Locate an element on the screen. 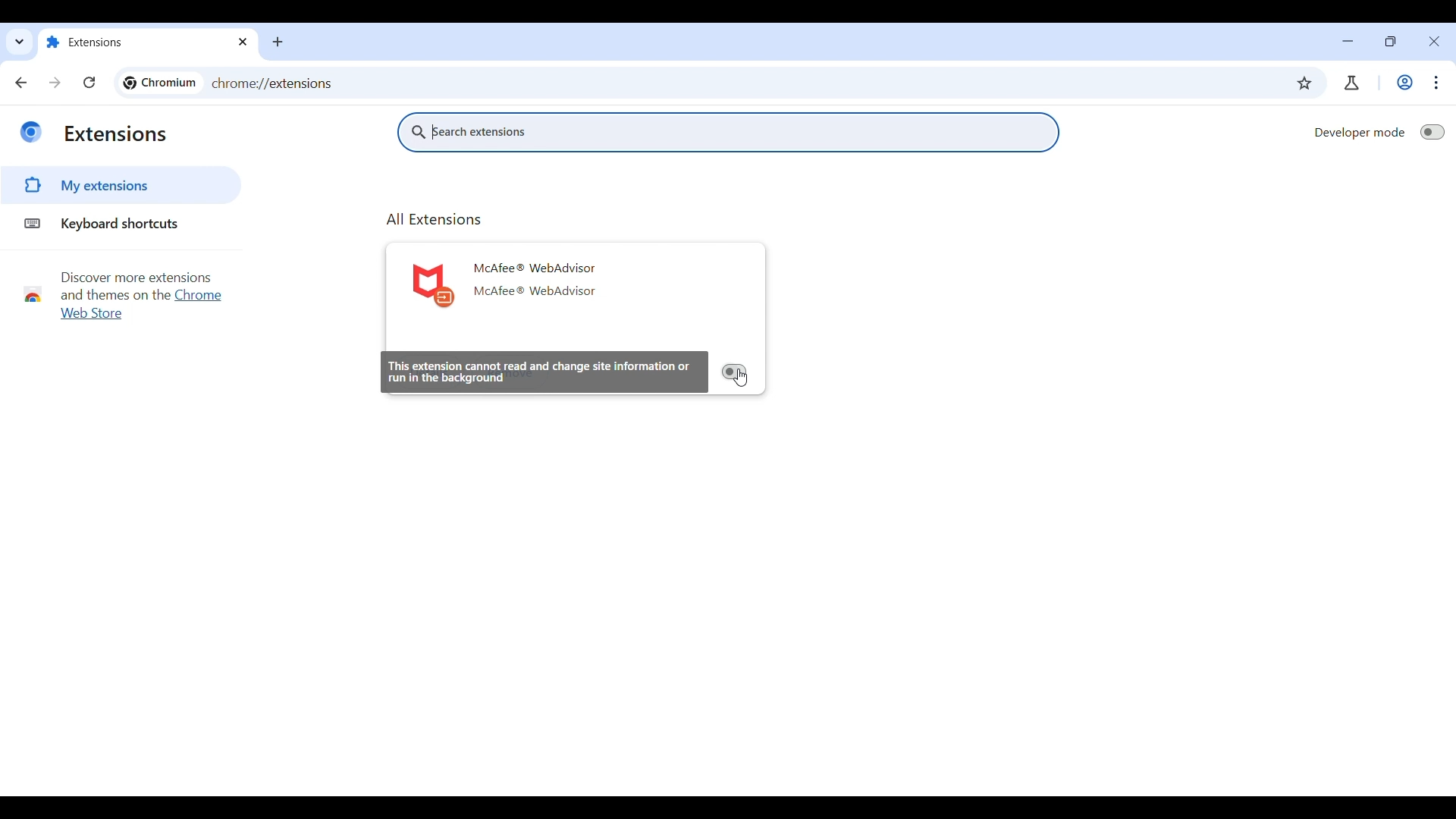 This screenshot has height=819, width=1456. Extensions is located at coordinates (137, 43).